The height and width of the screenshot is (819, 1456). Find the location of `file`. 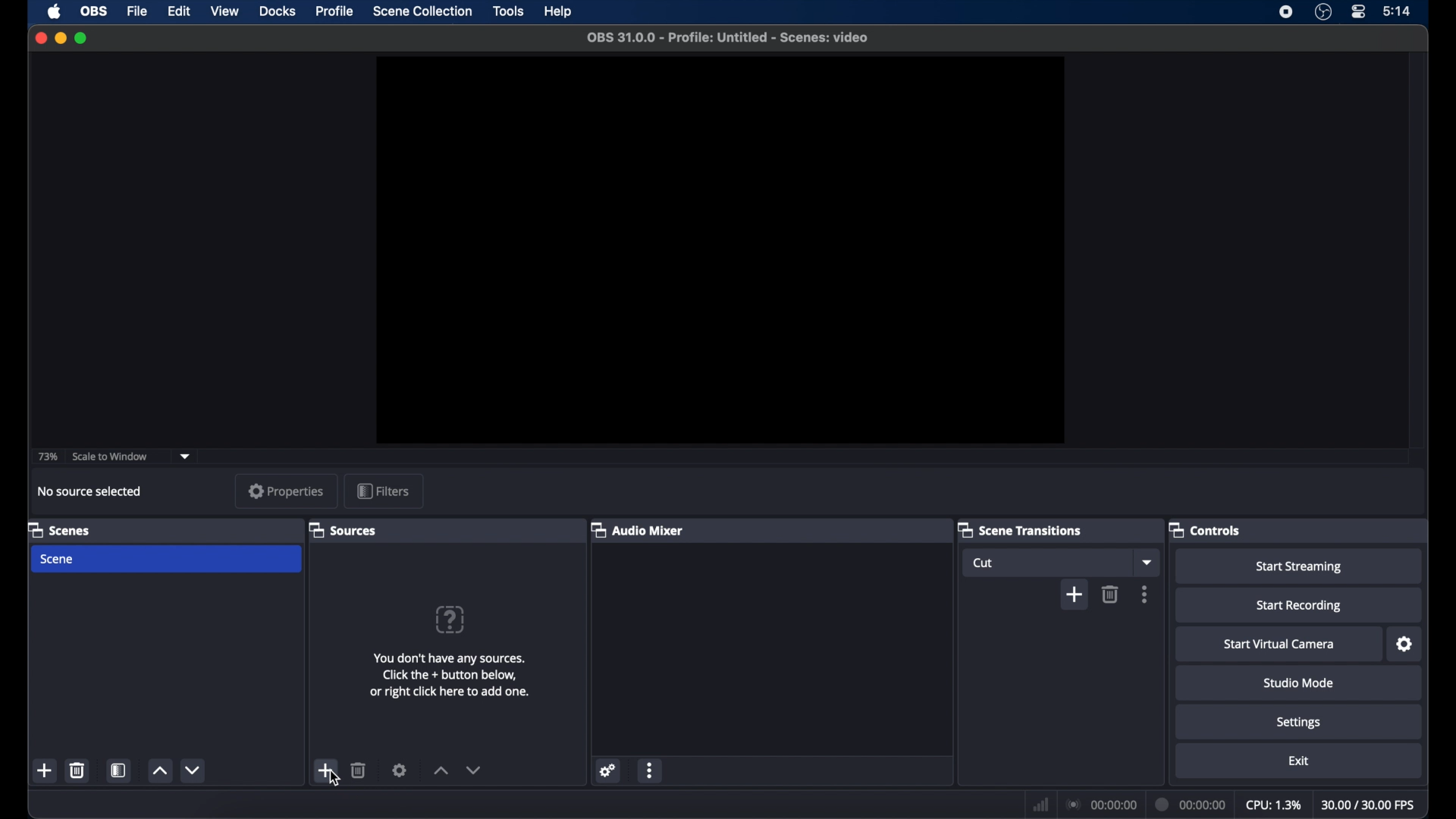

file is located at coordinates (136, 11).